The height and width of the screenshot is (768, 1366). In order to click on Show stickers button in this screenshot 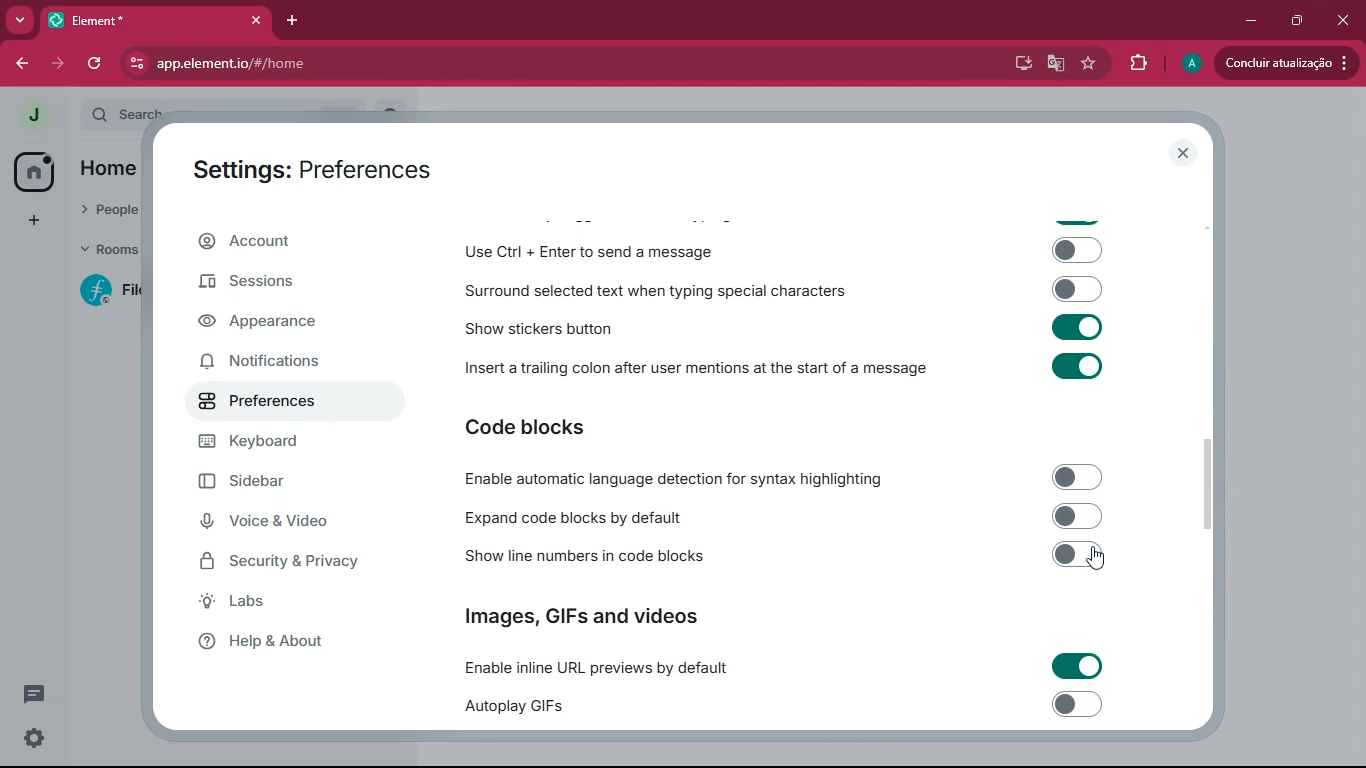, I will do `click(781, 327)`.